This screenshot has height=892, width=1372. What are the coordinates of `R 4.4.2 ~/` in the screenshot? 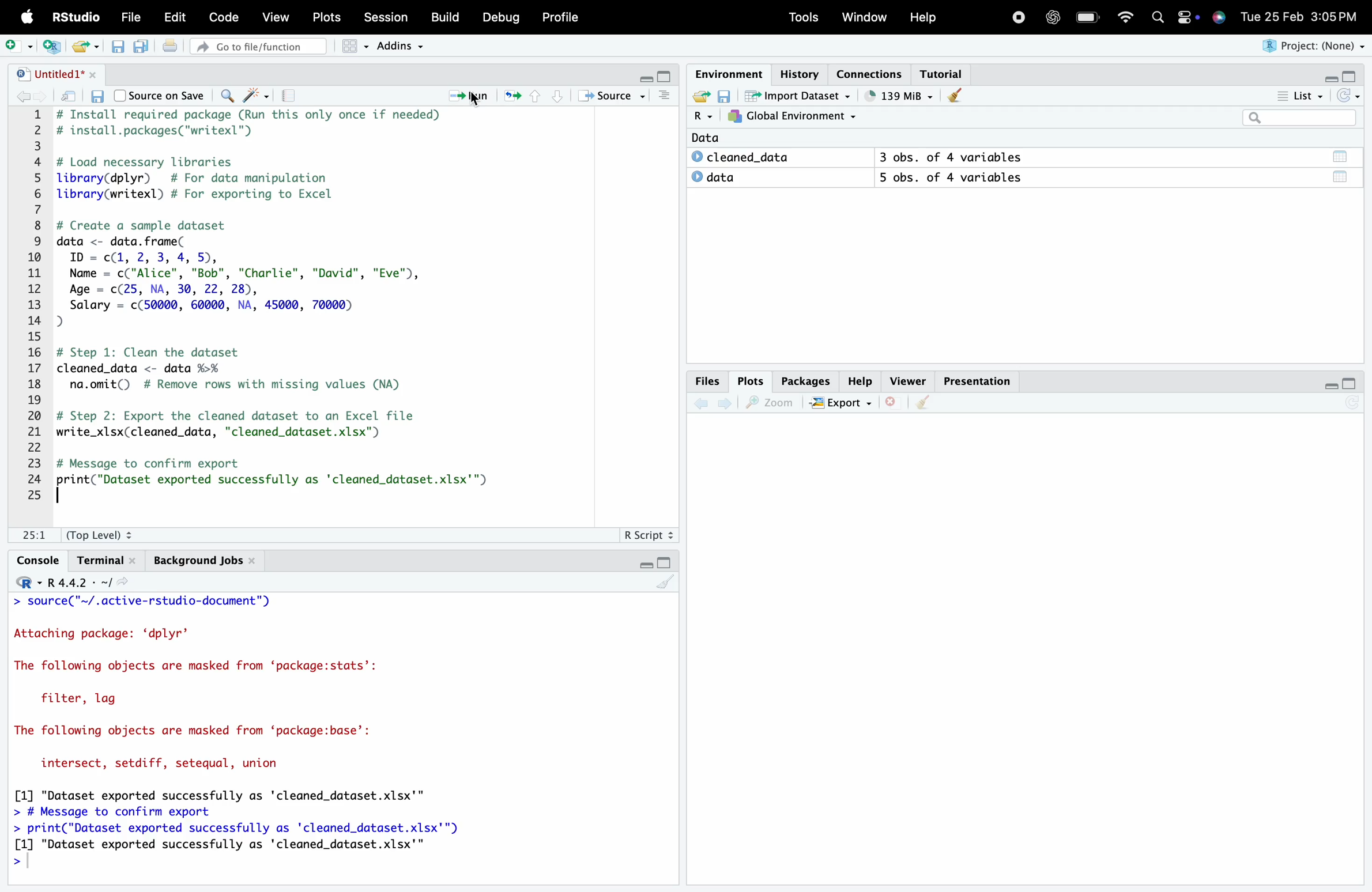 It's located at (81, 581).